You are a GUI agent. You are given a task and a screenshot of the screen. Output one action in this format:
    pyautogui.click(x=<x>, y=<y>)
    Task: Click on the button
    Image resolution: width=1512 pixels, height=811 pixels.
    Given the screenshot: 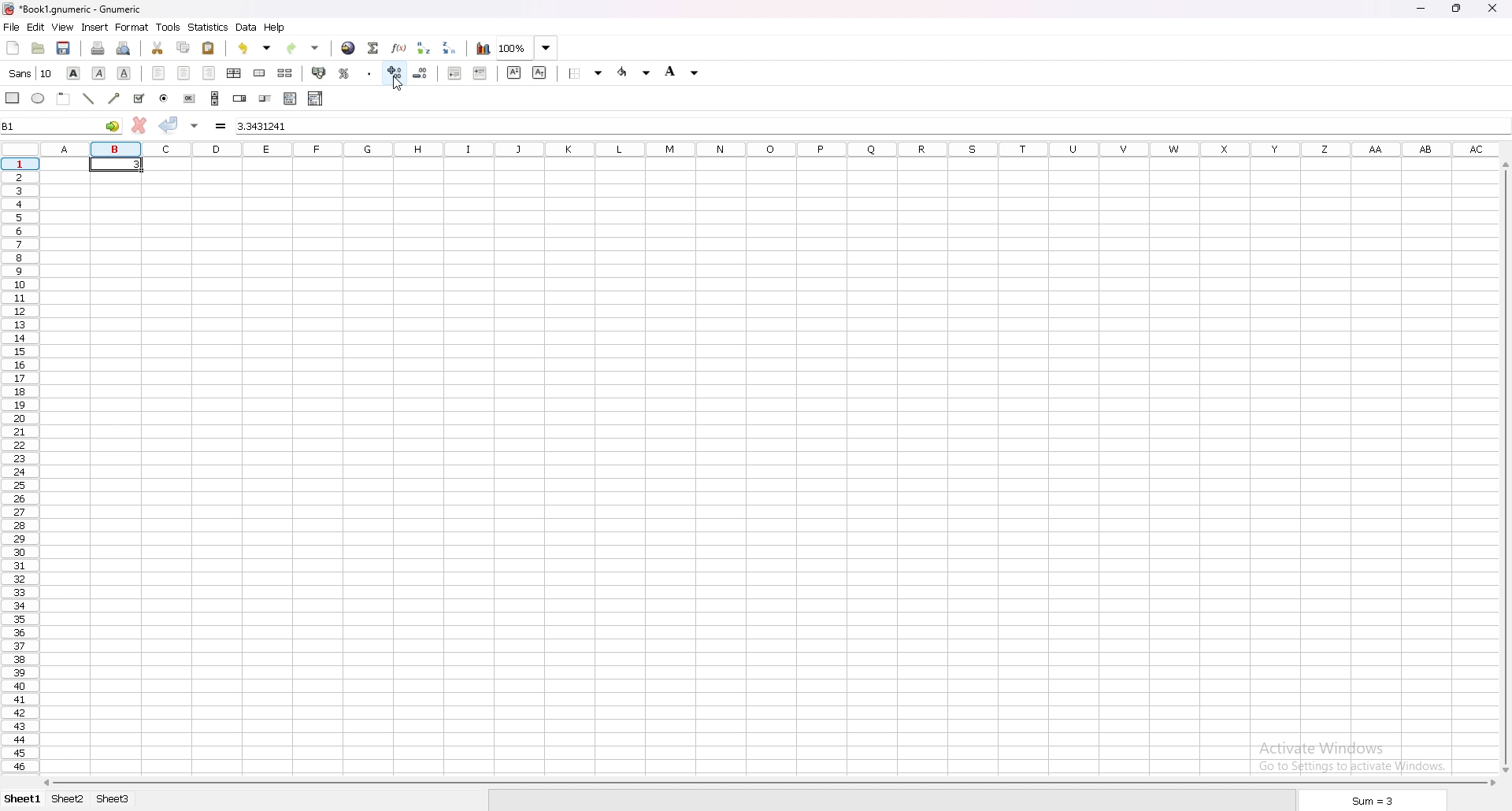 What is the action you would take?
    pyautogui.click(x=189, y=98)
    